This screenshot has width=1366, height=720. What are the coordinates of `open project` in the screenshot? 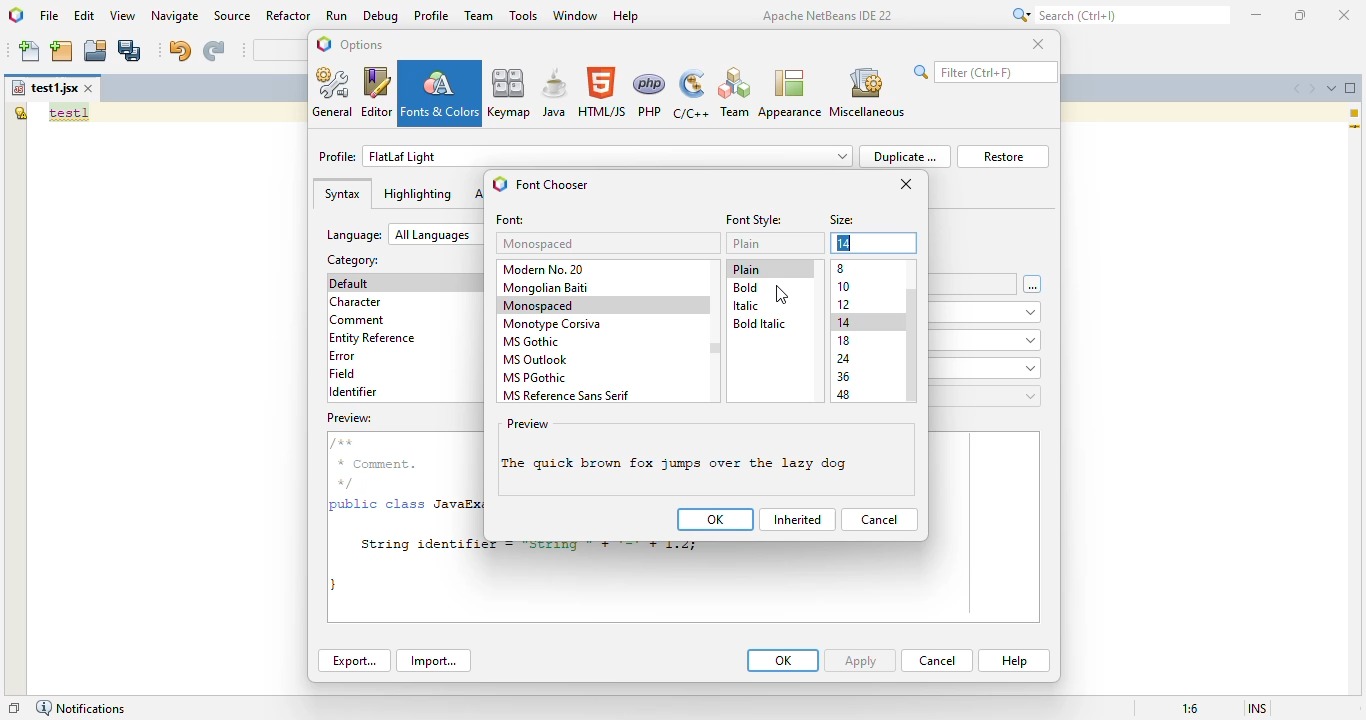 It's located at (96, 51).